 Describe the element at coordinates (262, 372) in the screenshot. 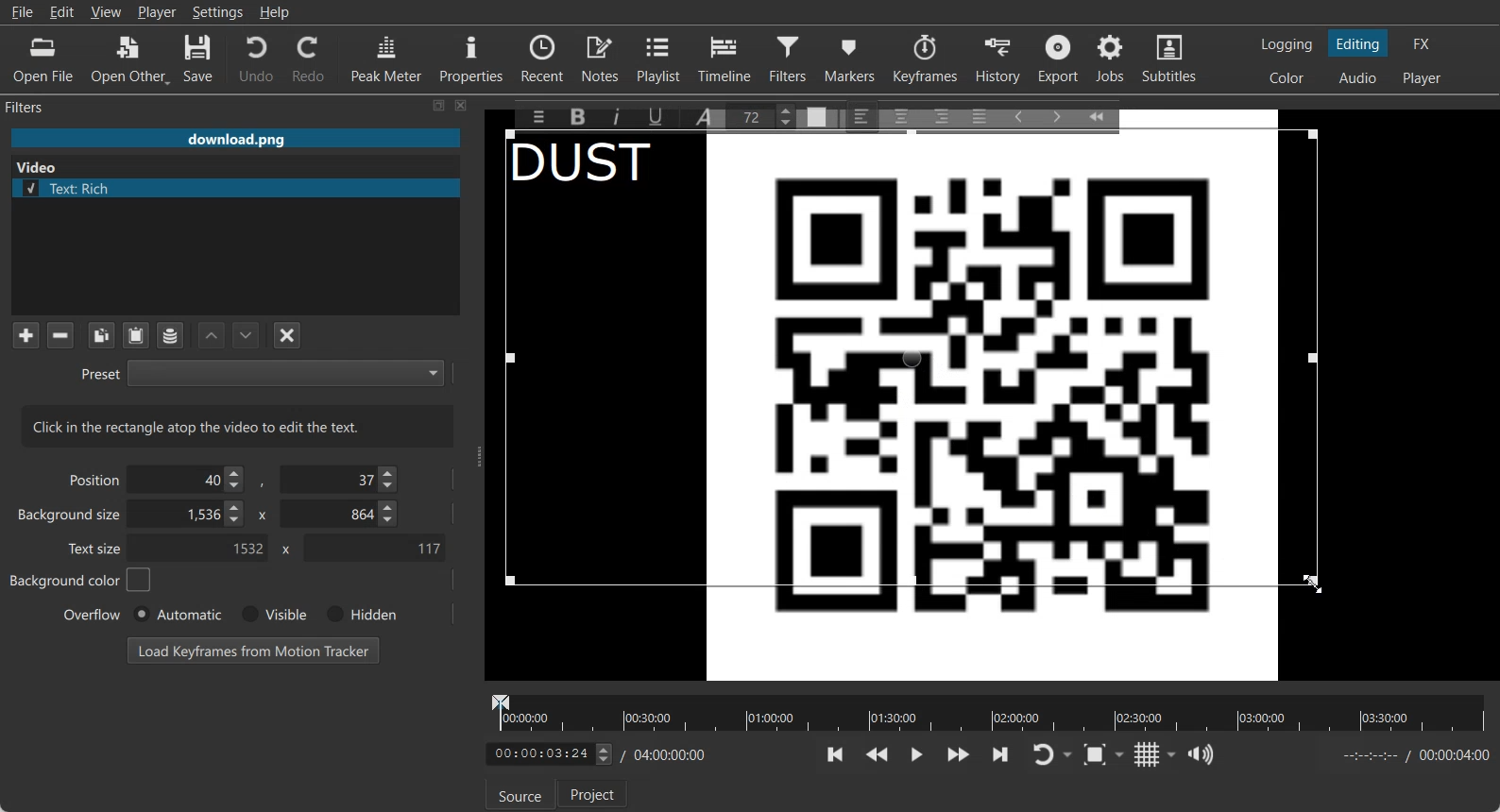

I see `Preset` at that location.